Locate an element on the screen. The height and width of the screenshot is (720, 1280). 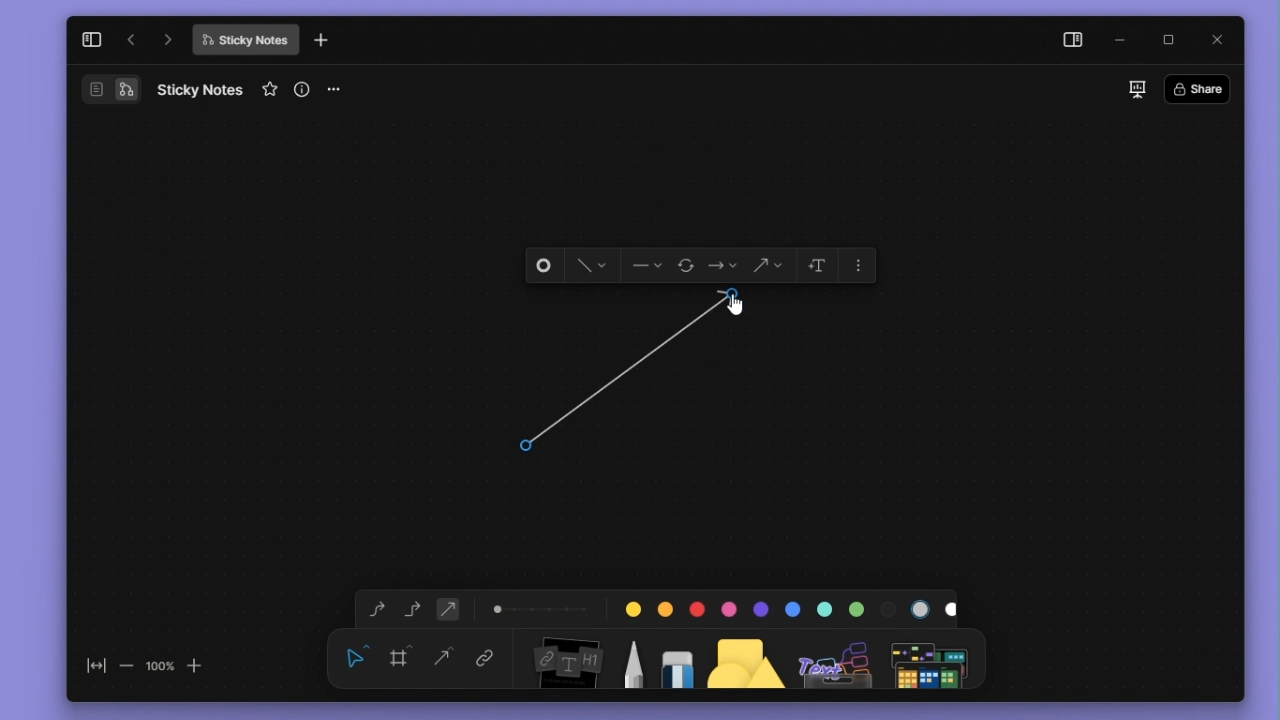
favourite is located at coordinates (272, 90).